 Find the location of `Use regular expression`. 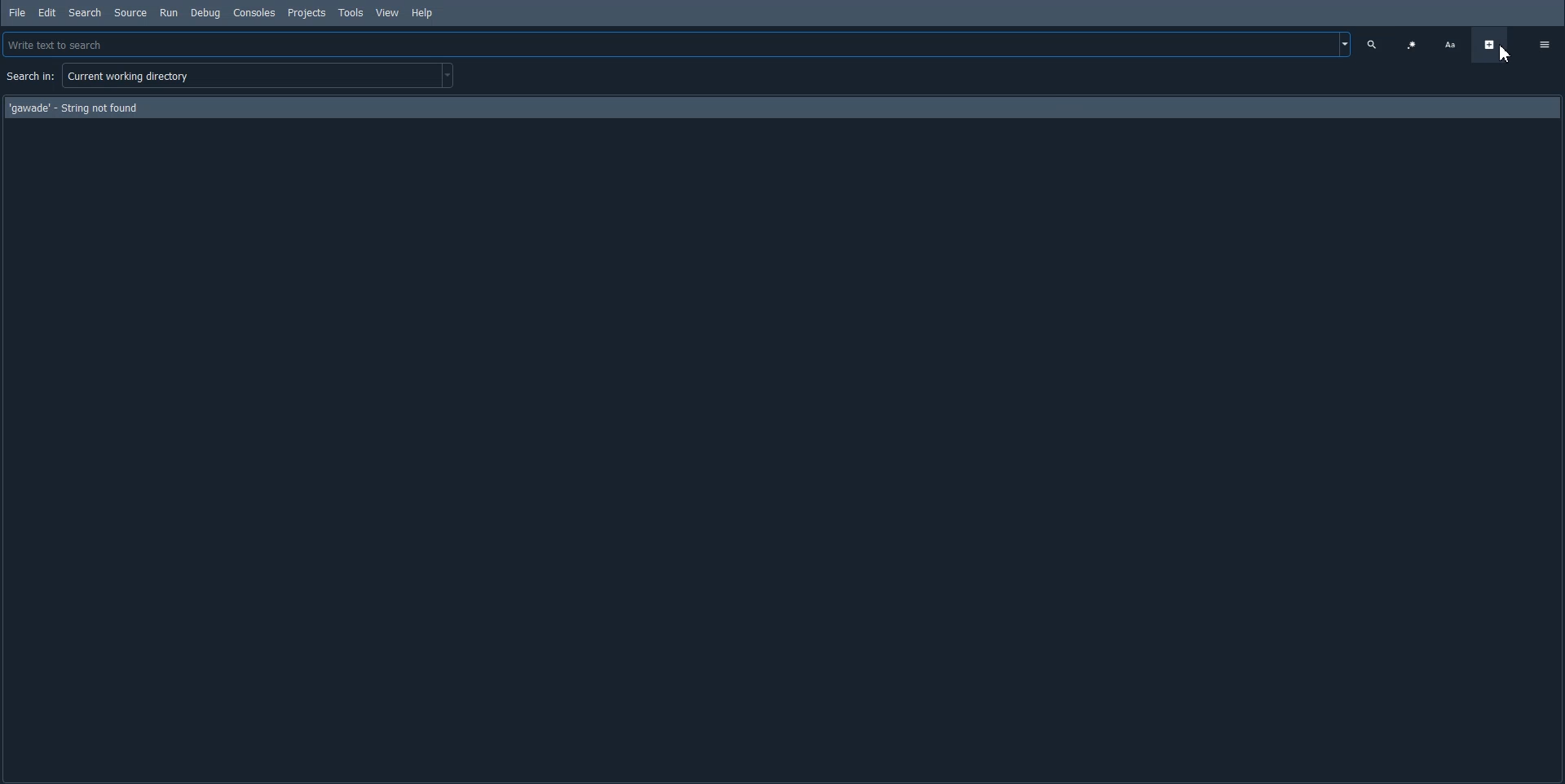

Use regular expression is located at coordinates (1412, 45).